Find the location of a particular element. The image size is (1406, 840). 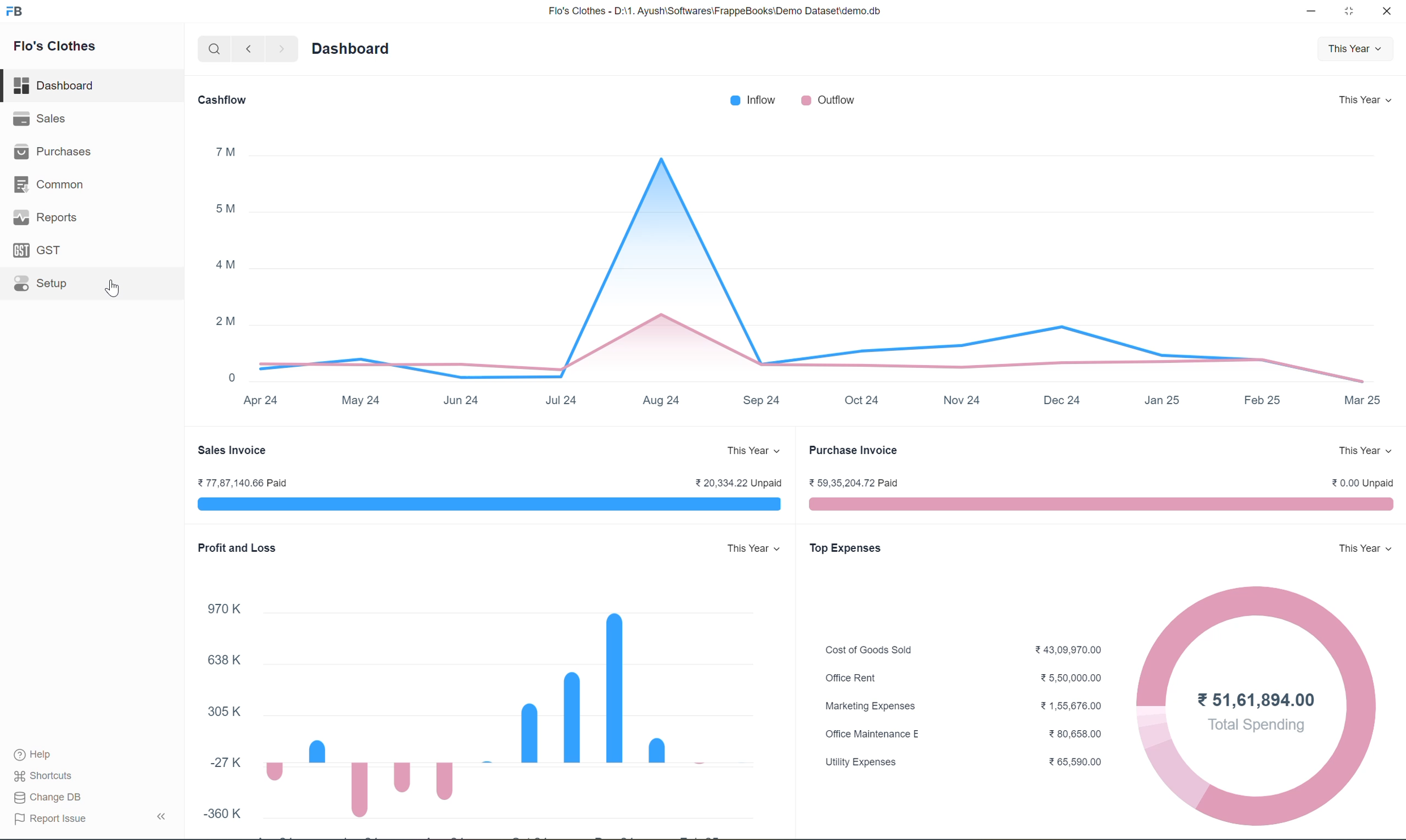

logo is located at coordinates (15, 10).